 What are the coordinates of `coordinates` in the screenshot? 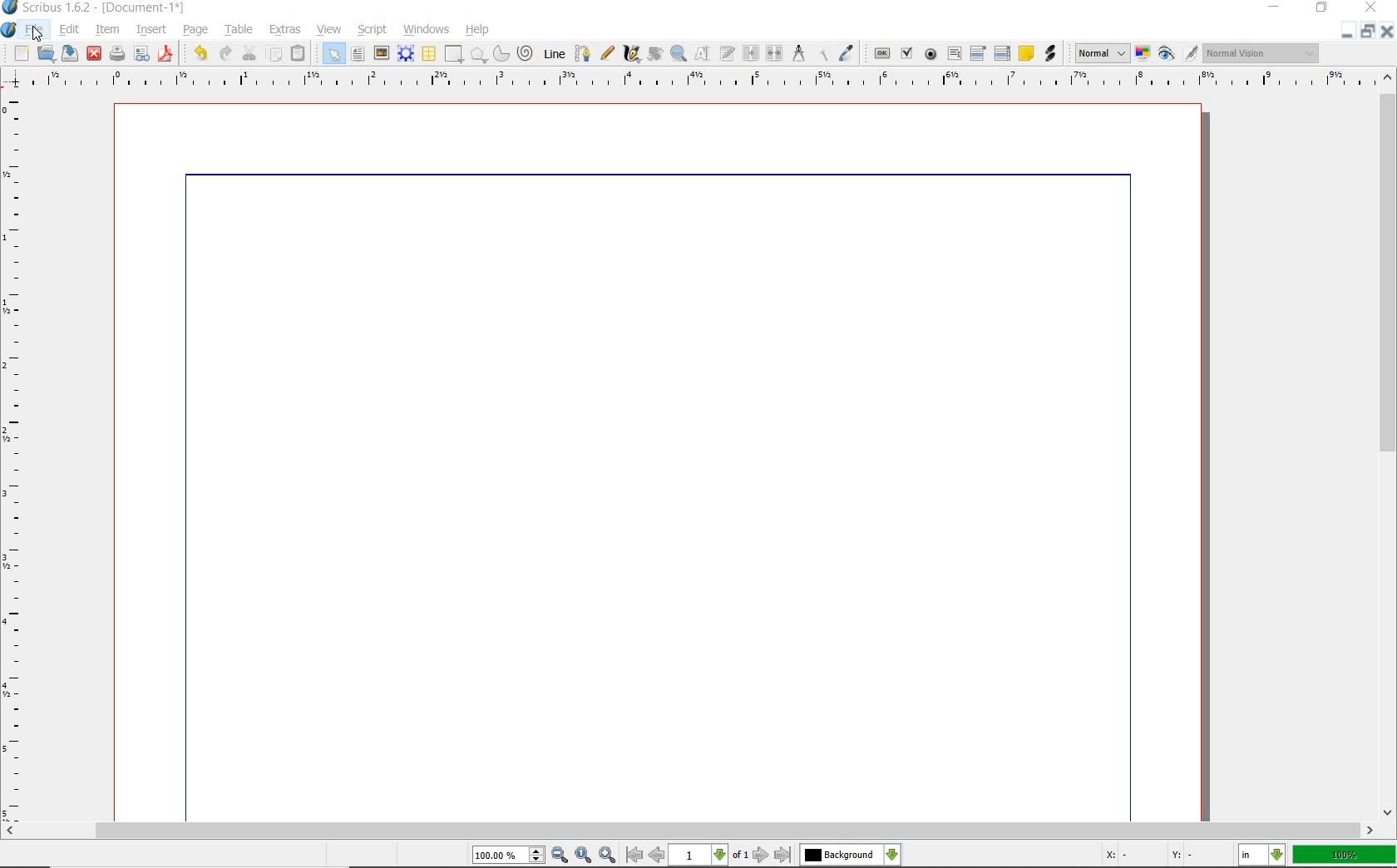 It's located at (1147, 856).